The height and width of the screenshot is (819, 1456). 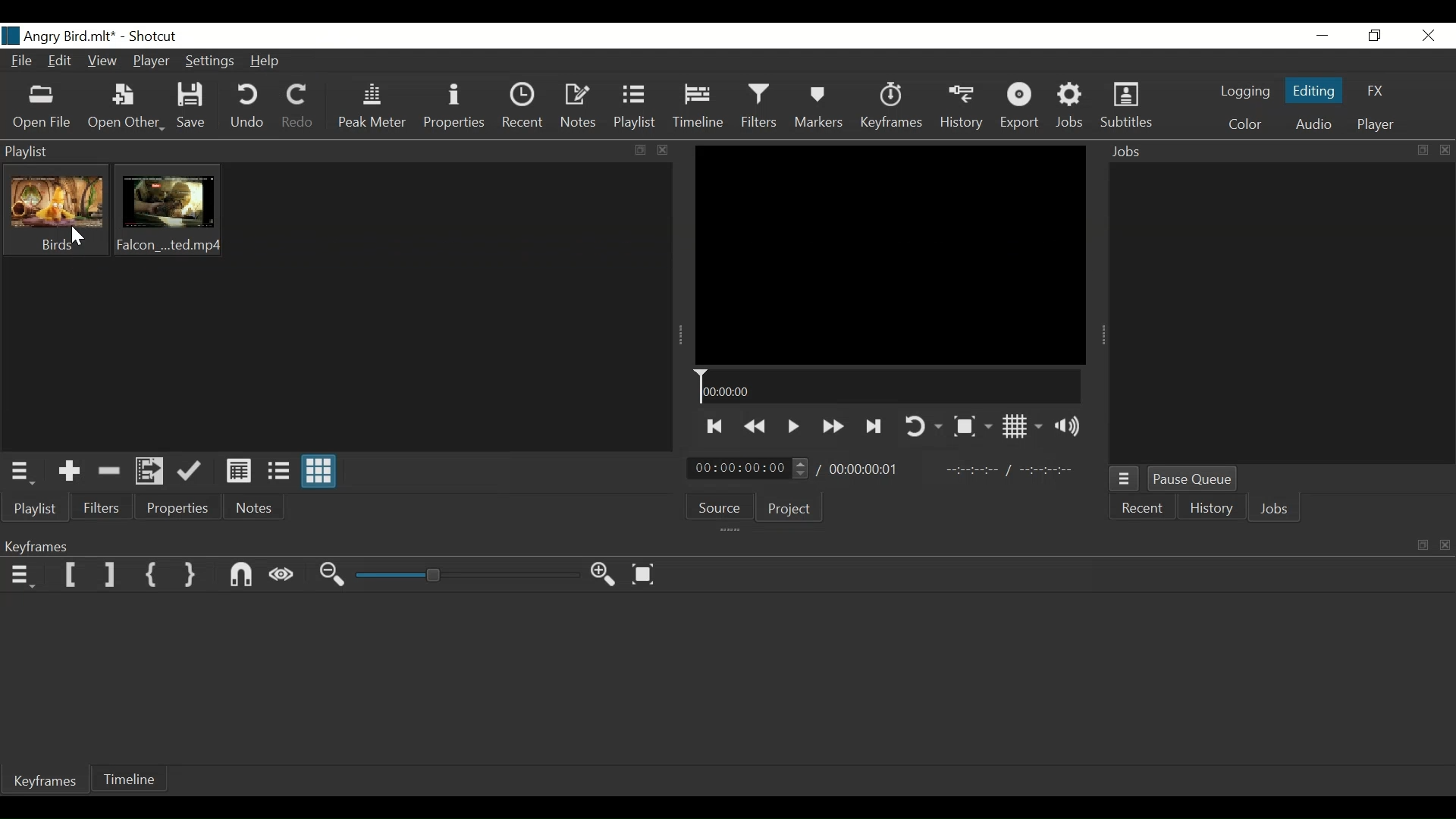 What do you see at coordinates (247, 108) in the screenshot?
I see `Undo` at bounding box center [247, 108].